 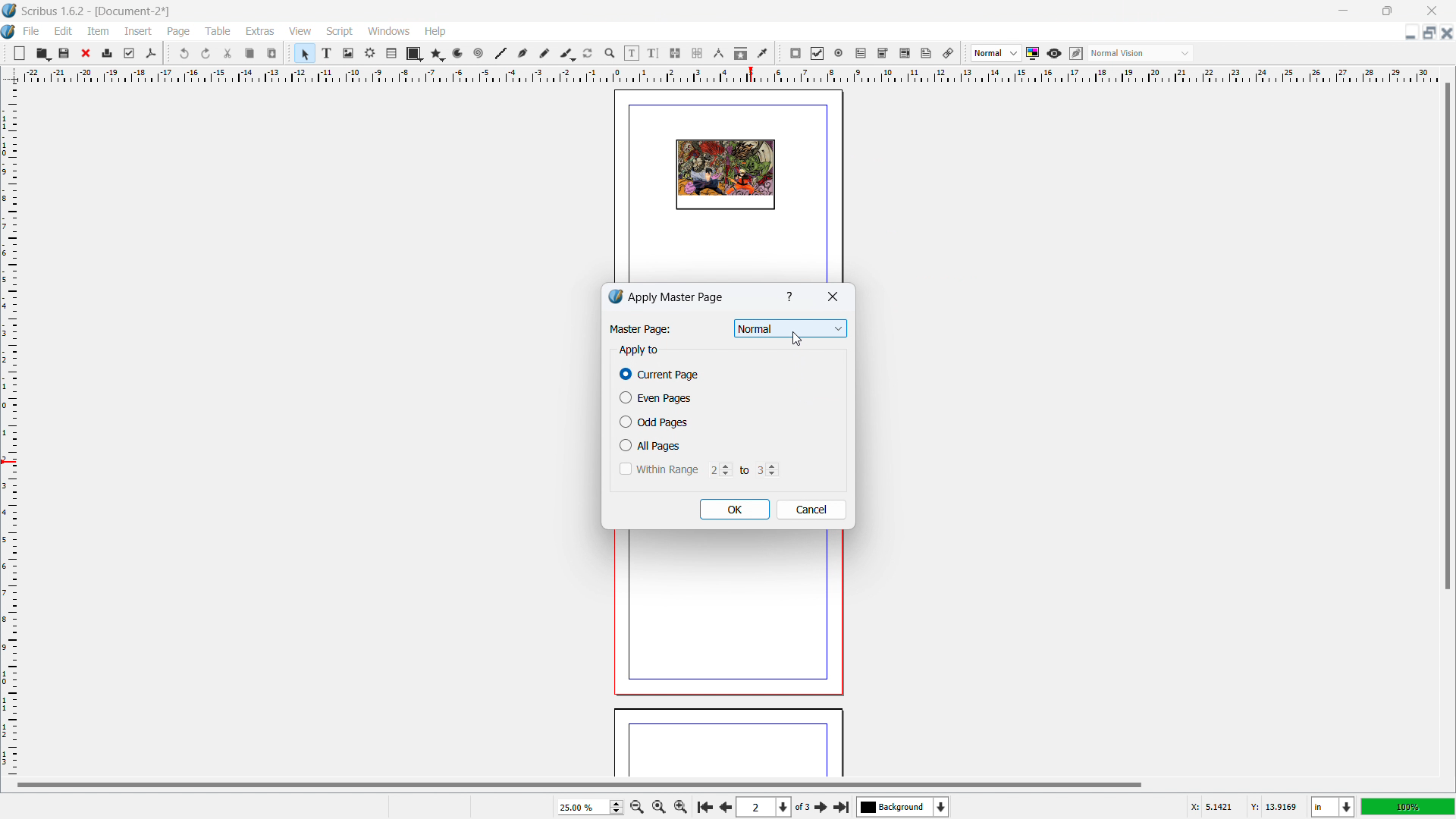 I want to click on image frame, so click(x=348, y=53).